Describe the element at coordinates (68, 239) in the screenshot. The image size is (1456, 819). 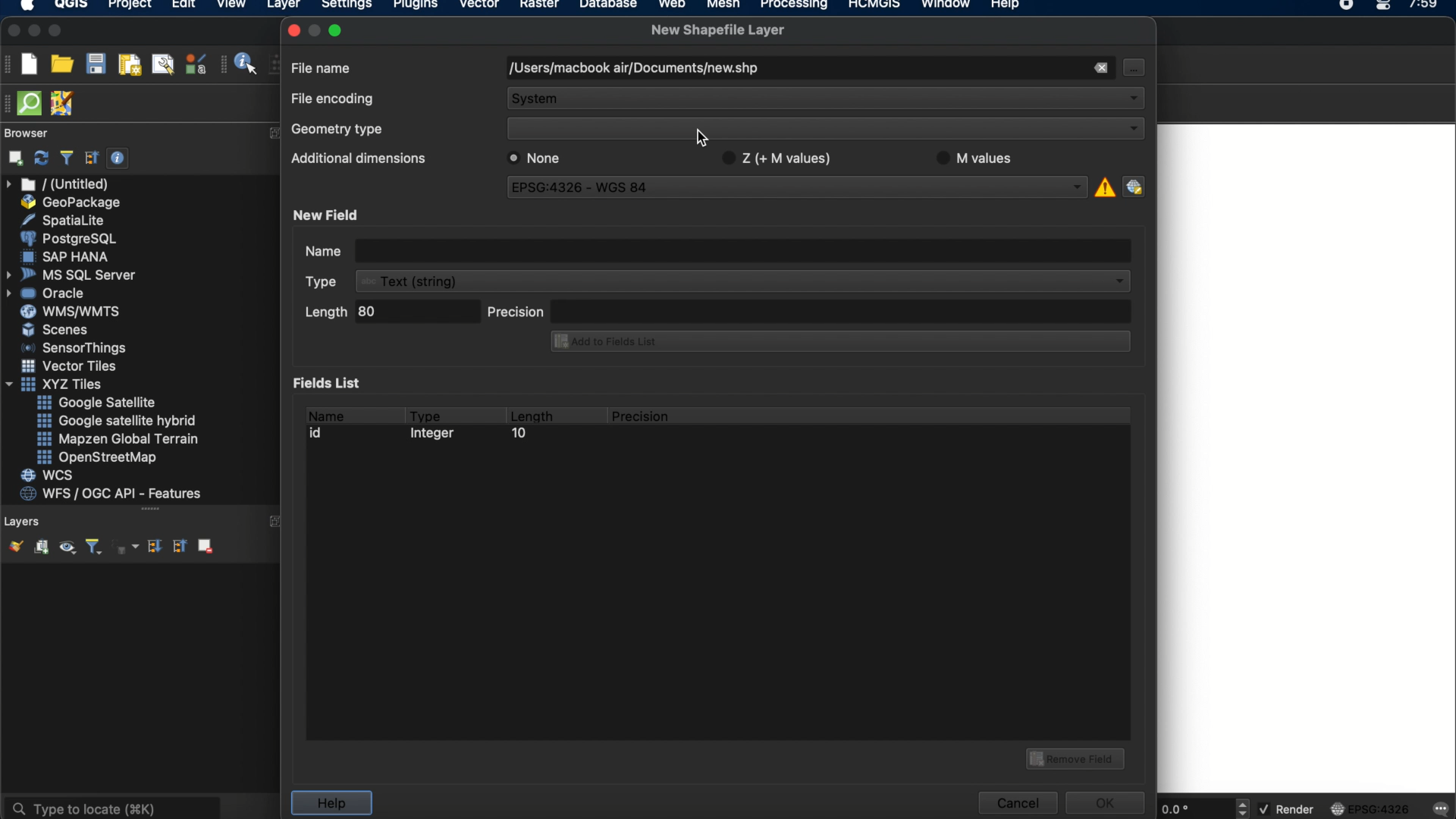
I see `postgresql` at that location.